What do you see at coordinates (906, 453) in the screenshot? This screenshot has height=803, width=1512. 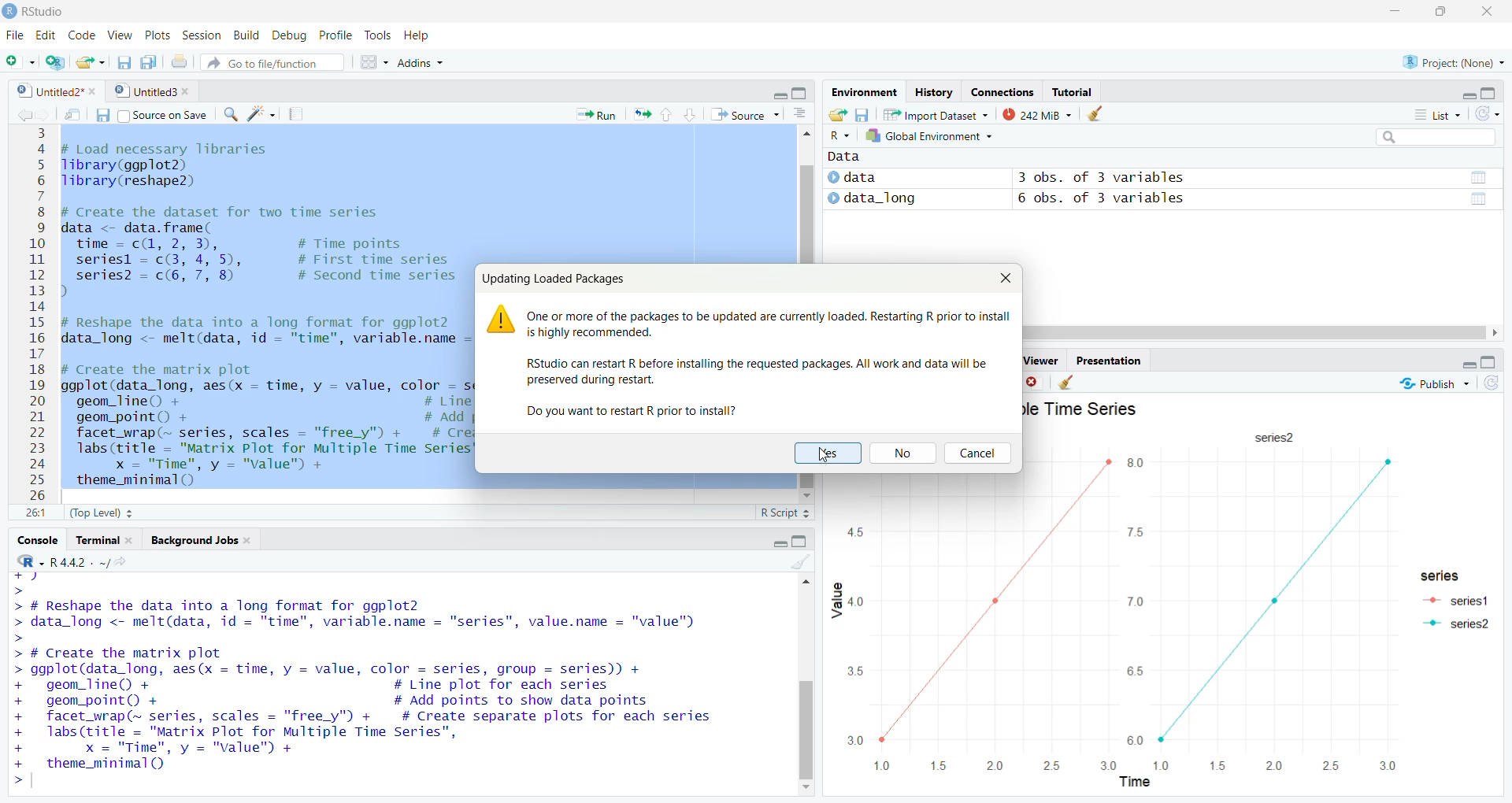 I see `No` at bounding box center [906, 453].